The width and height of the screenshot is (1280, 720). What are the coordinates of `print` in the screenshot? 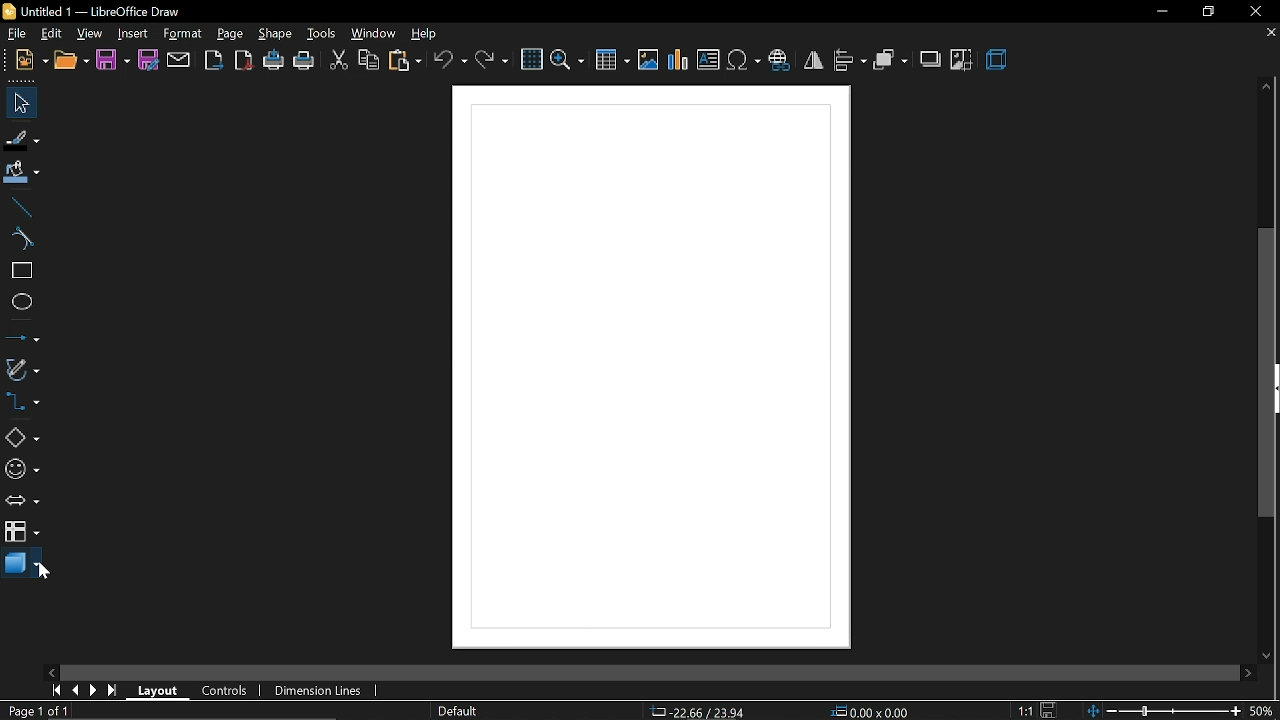 It's located at (305, 61).